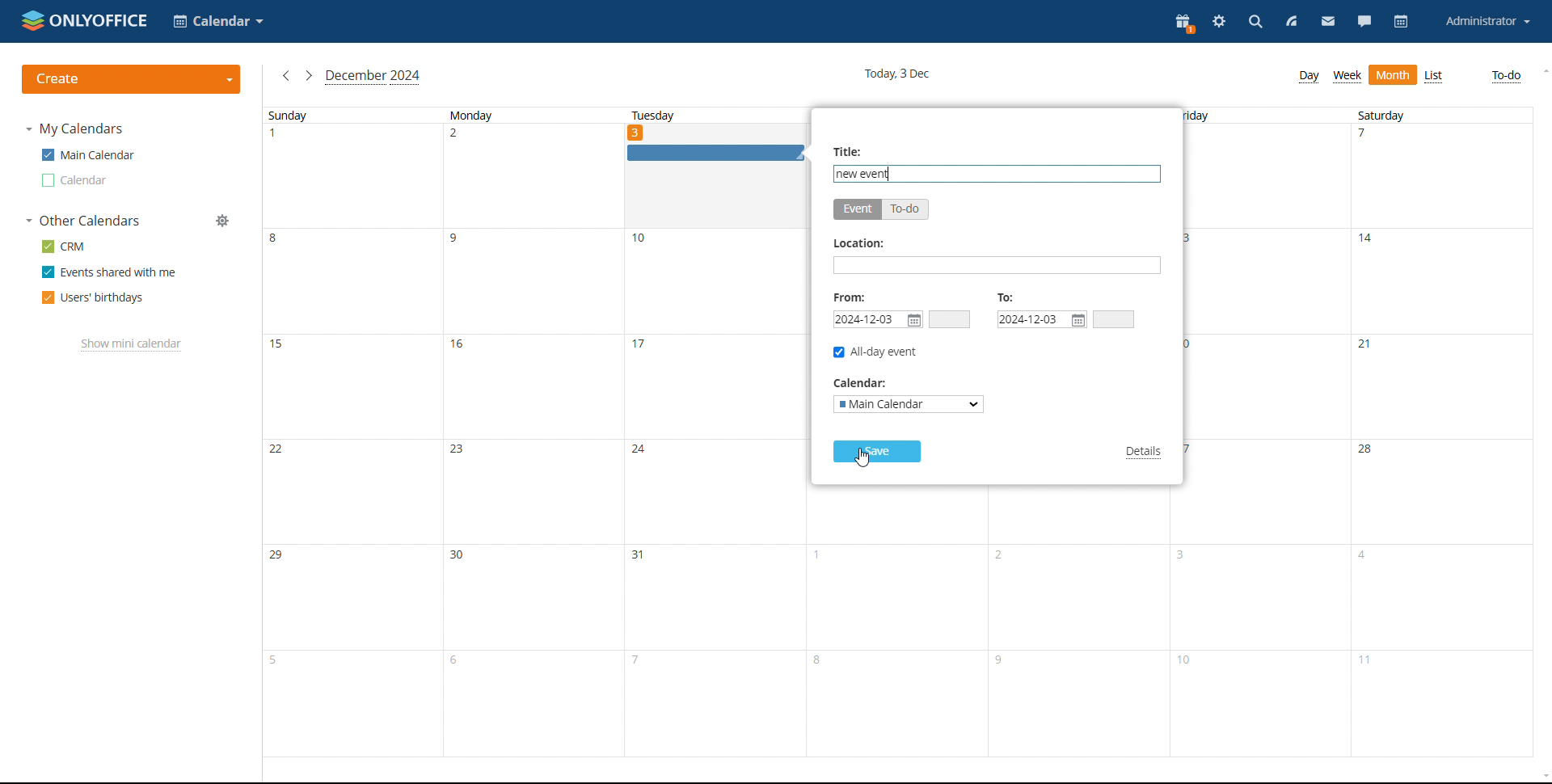 The width and height of the screenshot is (1552, 784). What do you see at coordinates (131, 79) in the screenshot?
I see `create` at bounding box center [131, 79].